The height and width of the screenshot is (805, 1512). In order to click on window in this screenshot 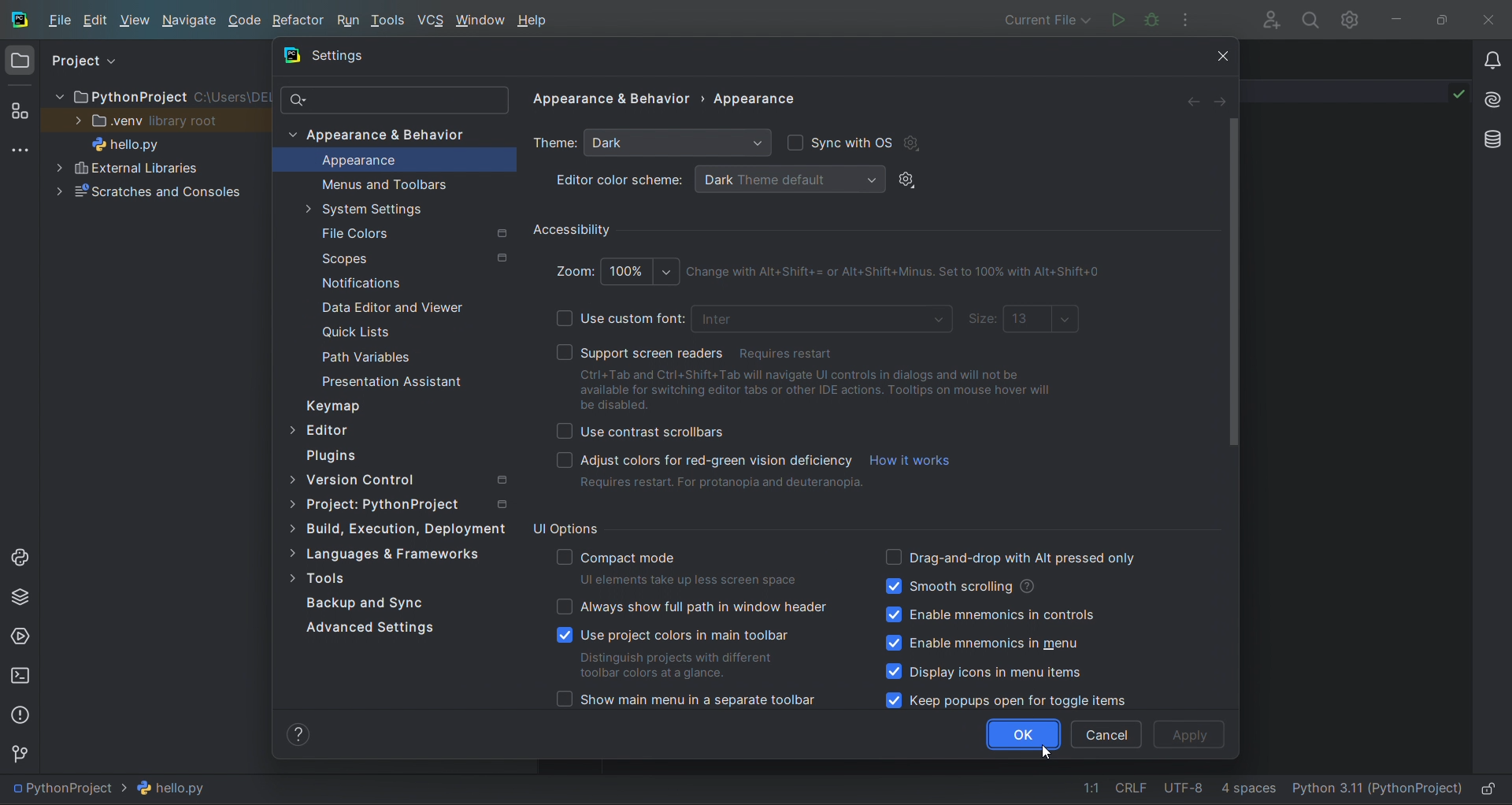, I will do `click(477, 18)`.